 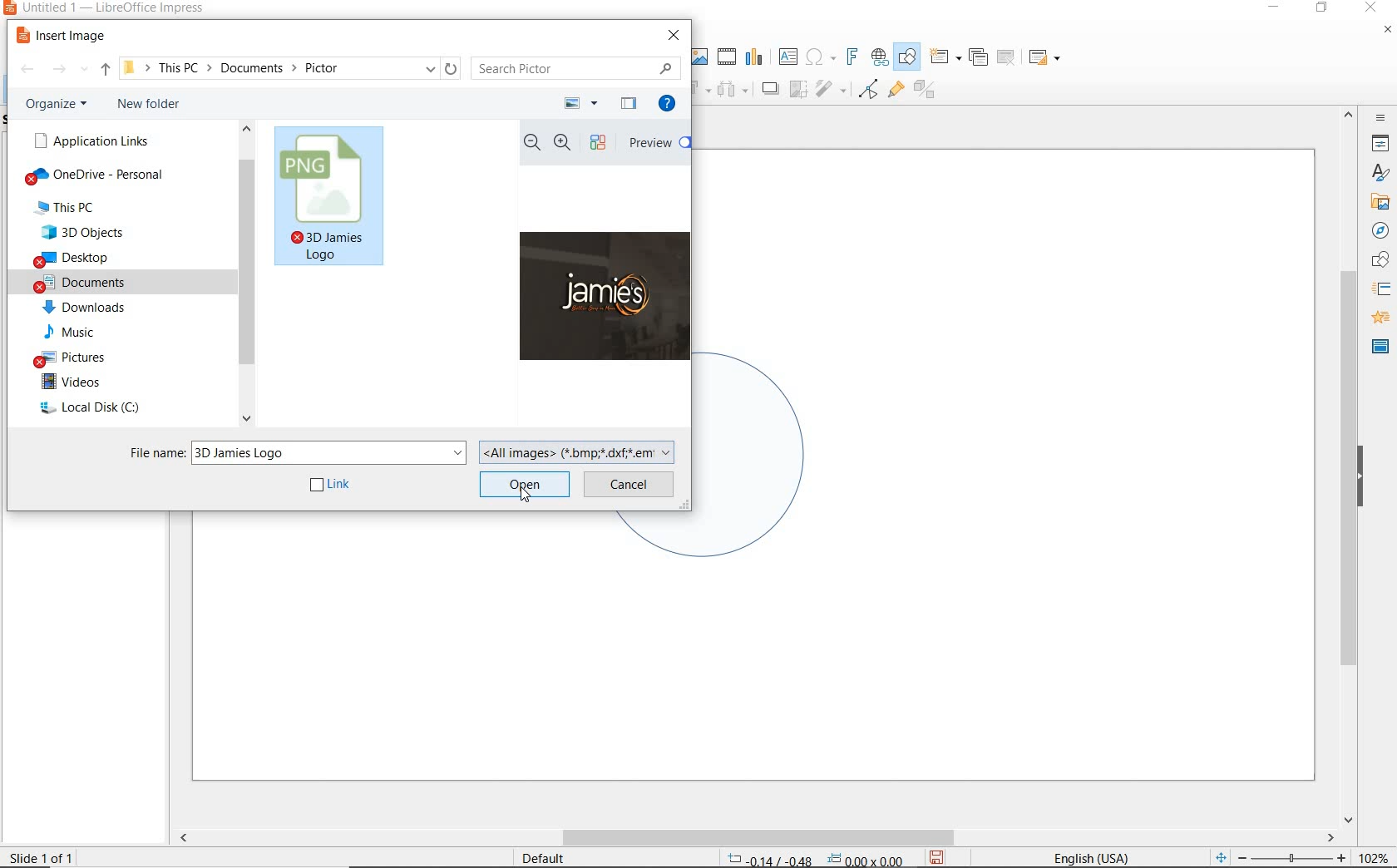 What do you see at coordinates (629, 483) in the screenshot?
I see `CANCEL` at bounding box center [629, 483].